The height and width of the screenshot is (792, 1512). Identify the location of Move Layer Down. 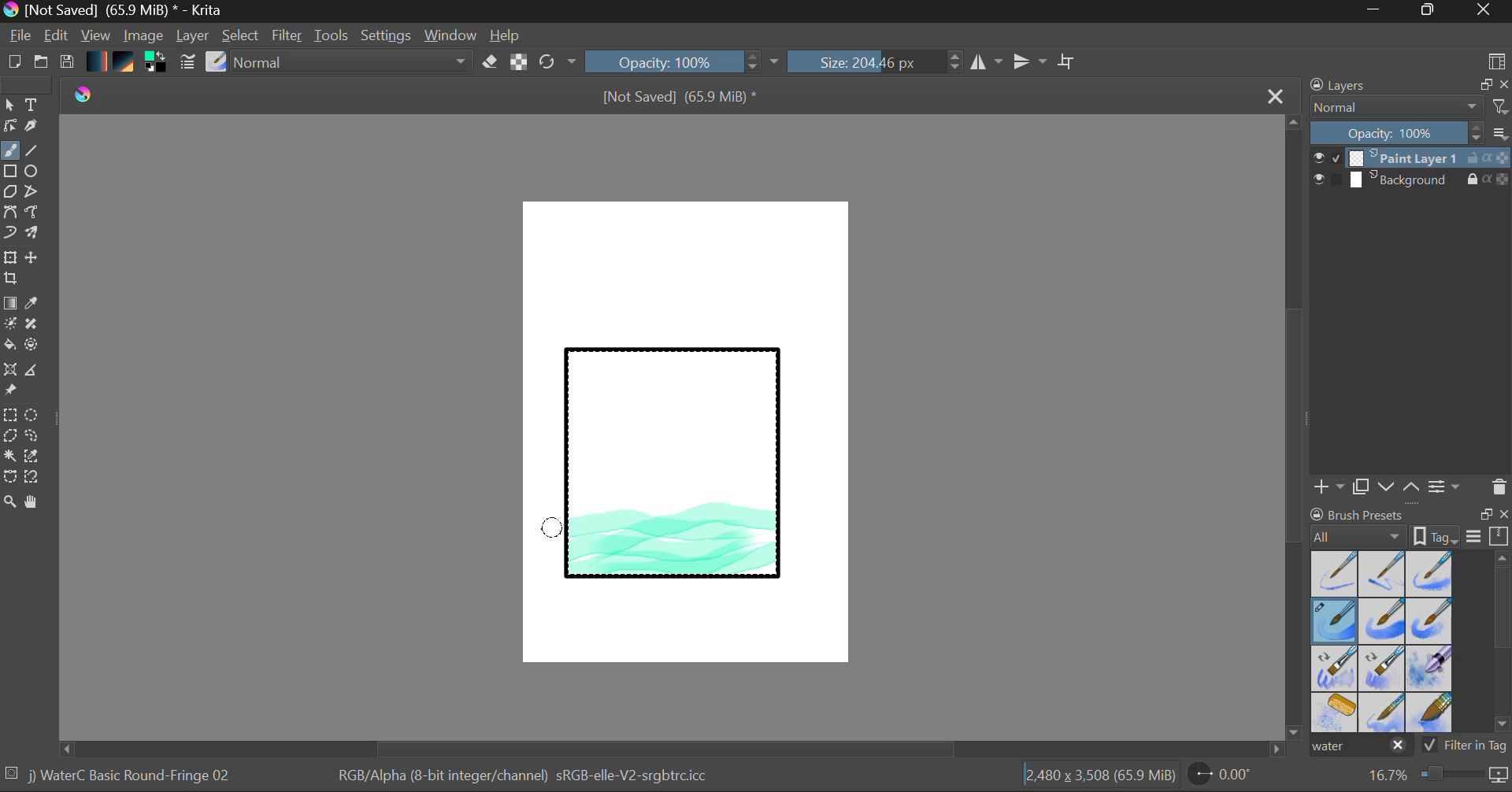
(1388, 487).